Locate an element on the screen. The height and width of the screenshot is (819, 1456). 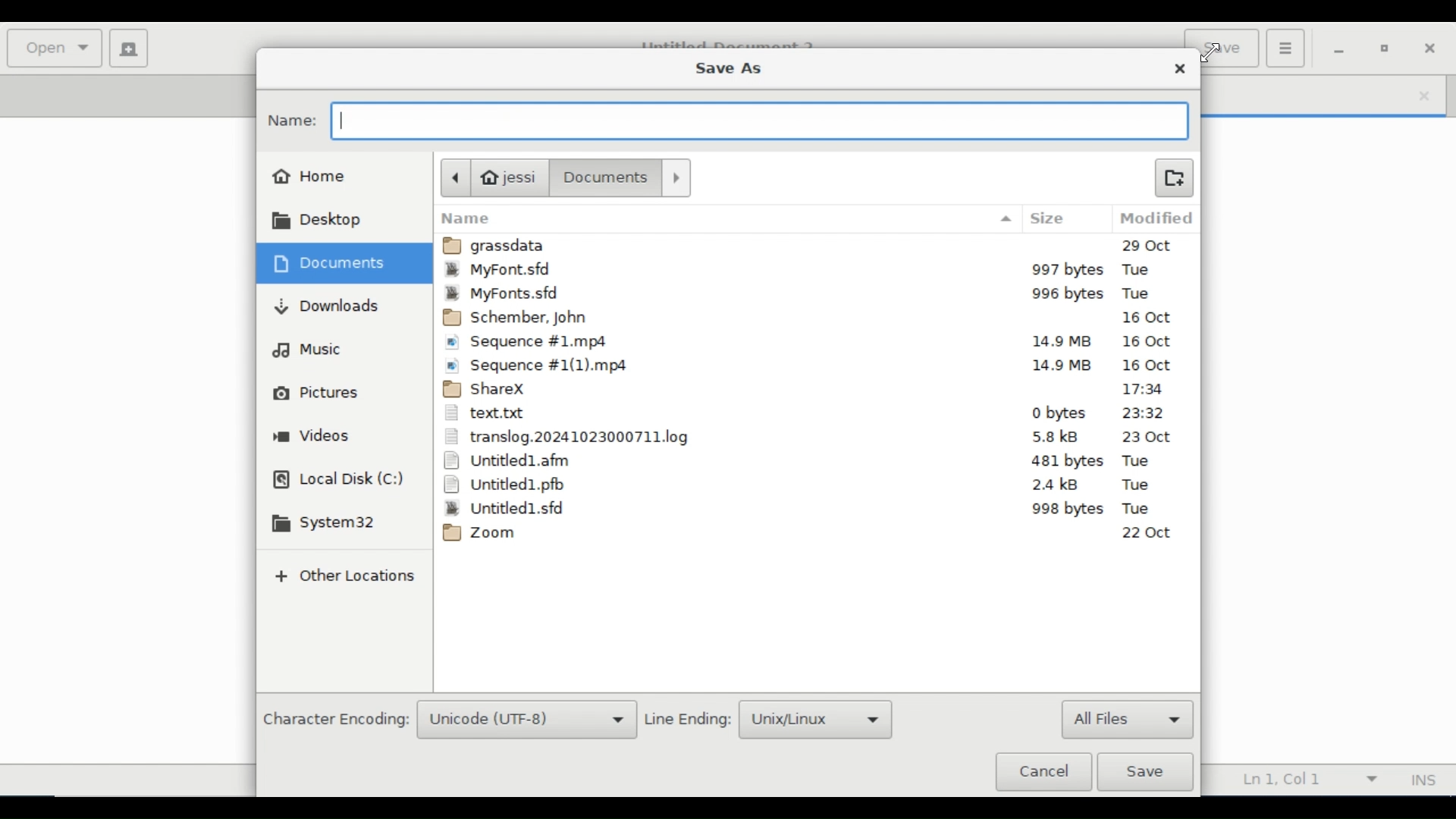
Application menu is located at coordinates (1285, 47).